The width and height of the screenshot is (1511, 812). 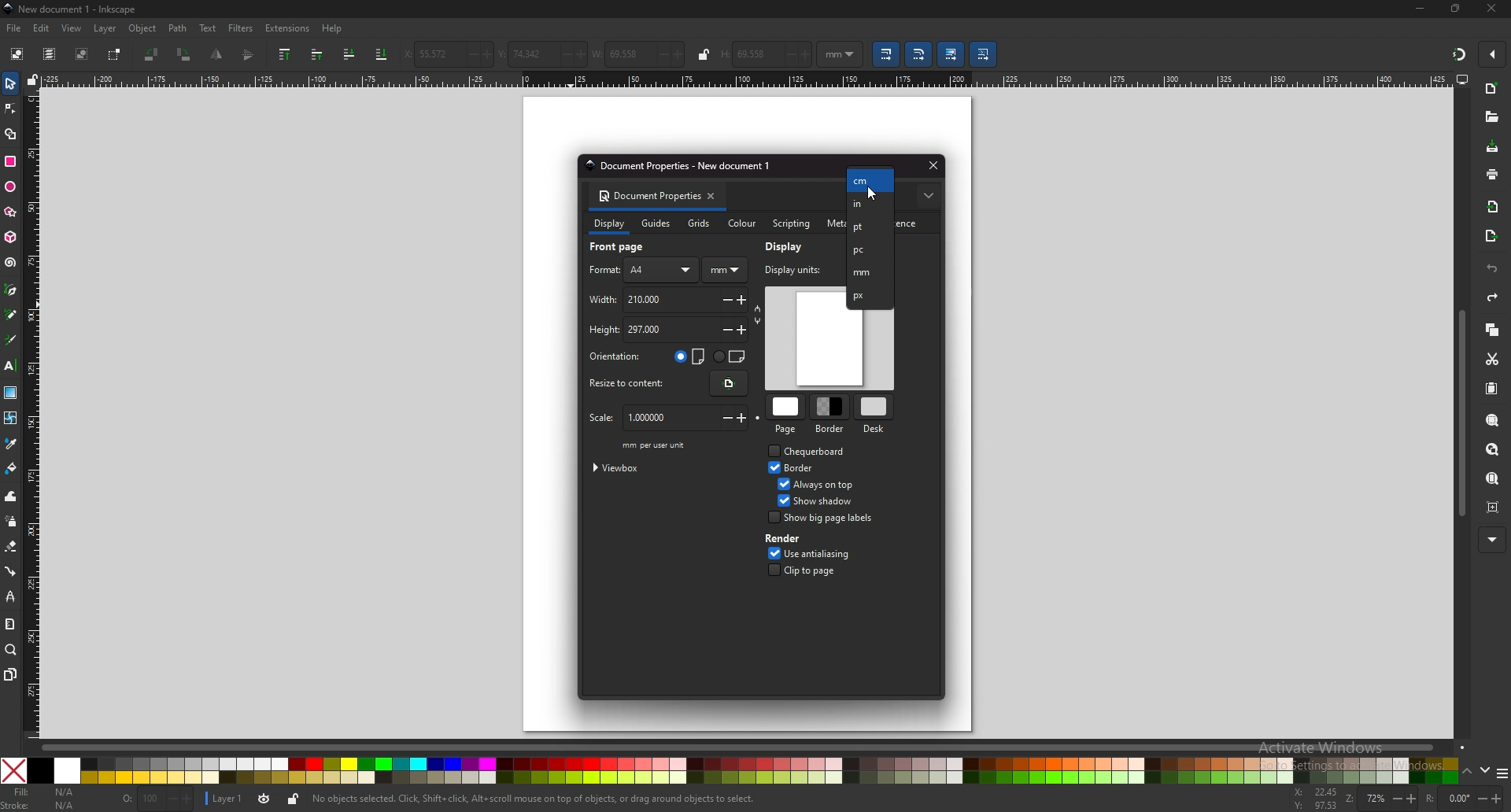 I want to click on +, so click(x=1410, y=799).